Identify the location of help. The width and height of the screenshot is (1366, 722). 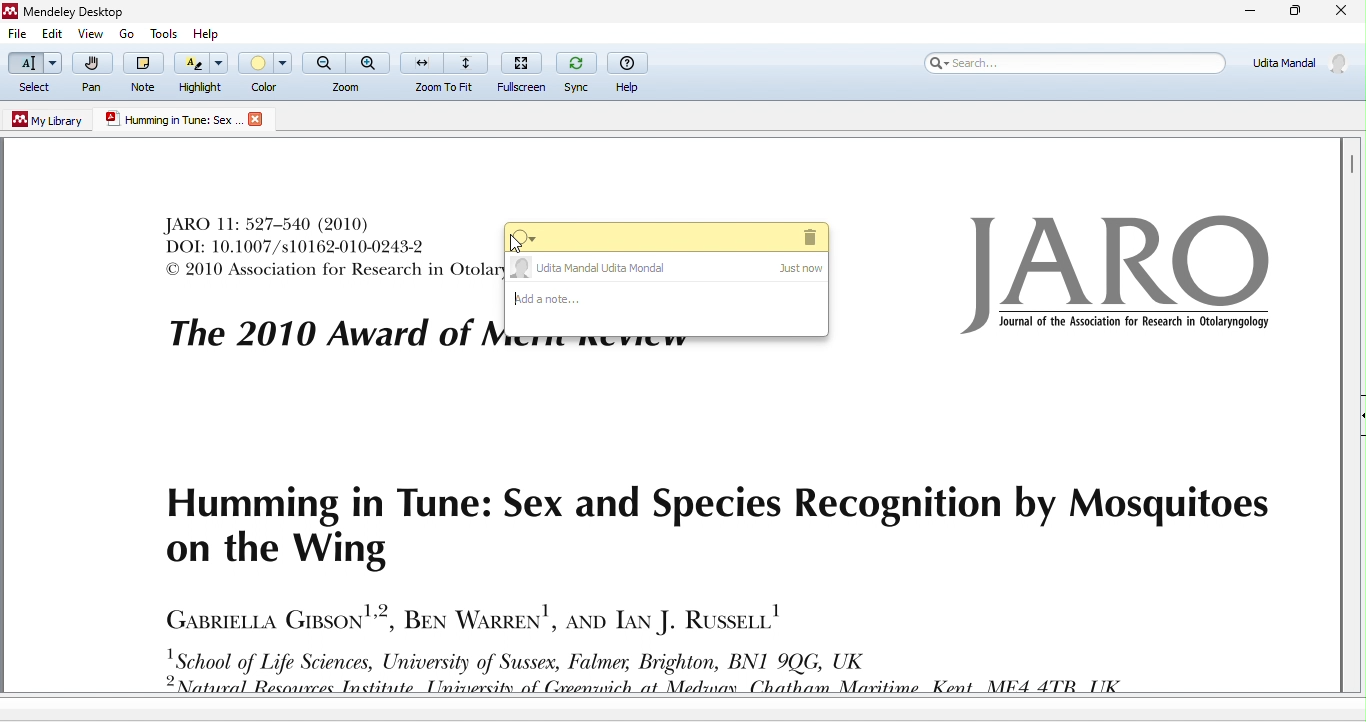
(205, 32).